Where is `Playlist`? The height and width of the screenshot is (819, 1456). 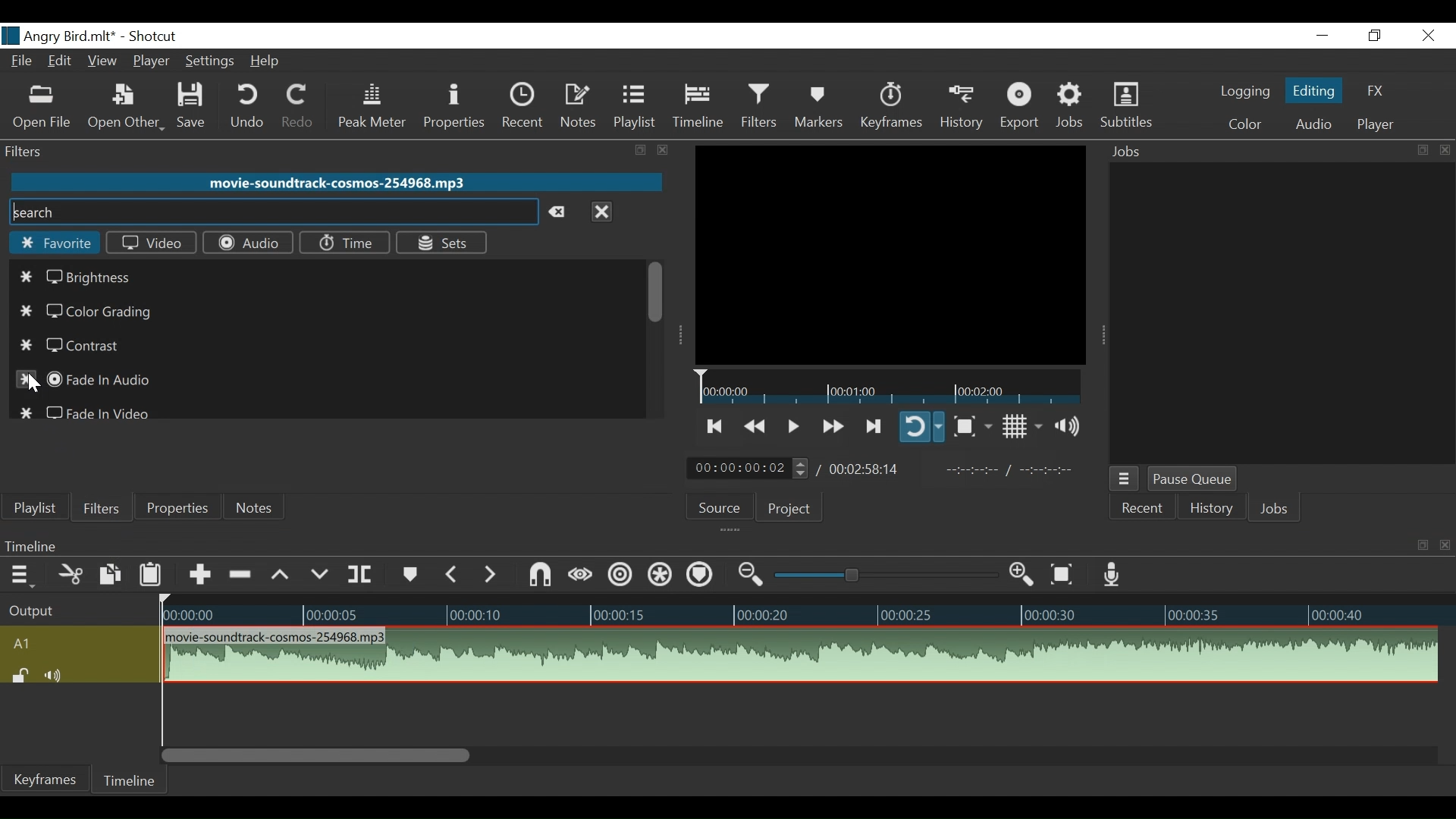
Playlist is located at coordinates (634, 106).